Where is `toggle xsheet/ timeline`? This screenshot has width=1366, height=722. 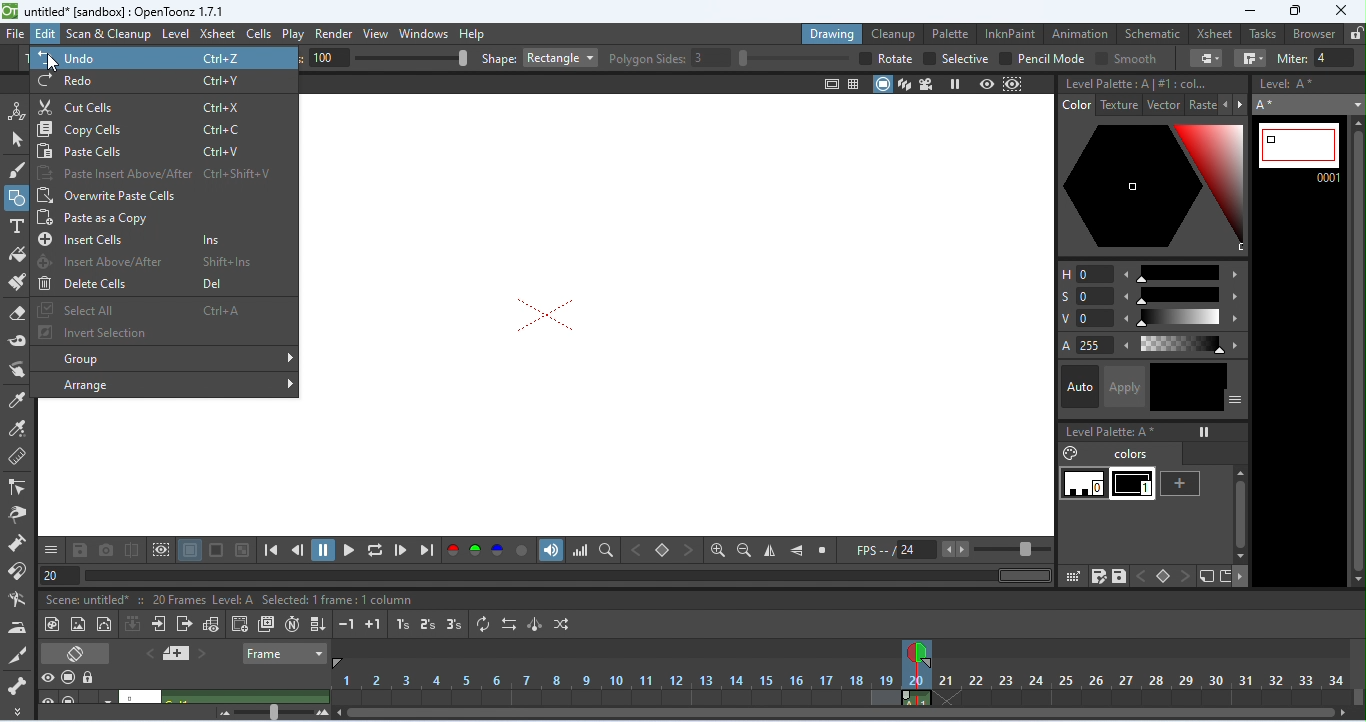
toggle xsheet/ timeline is located at coordinates (74, 655).